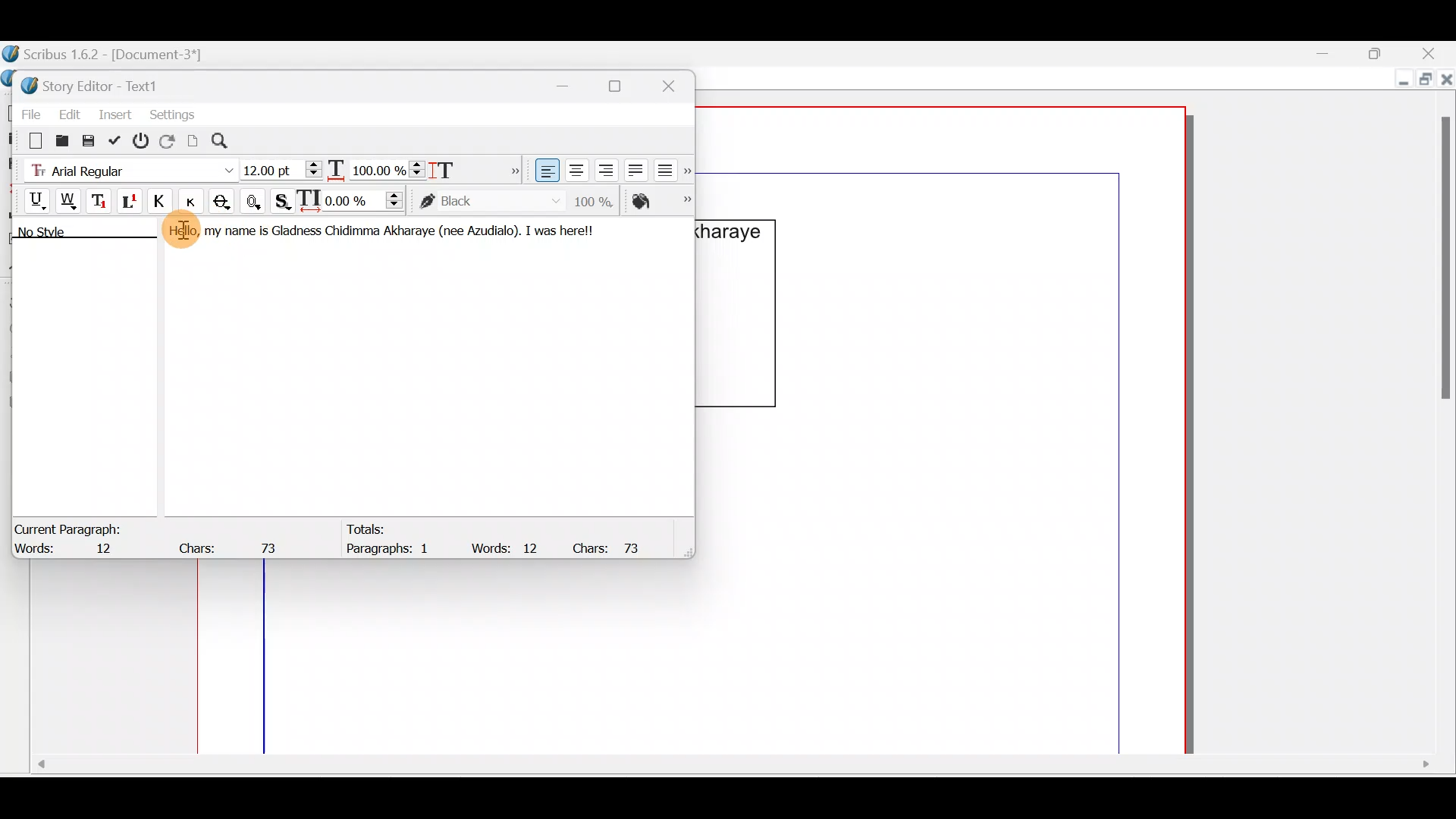  Describe the element at coordinates (464, 165) in the screenshot. I see `Scaling height of characters` at that location.